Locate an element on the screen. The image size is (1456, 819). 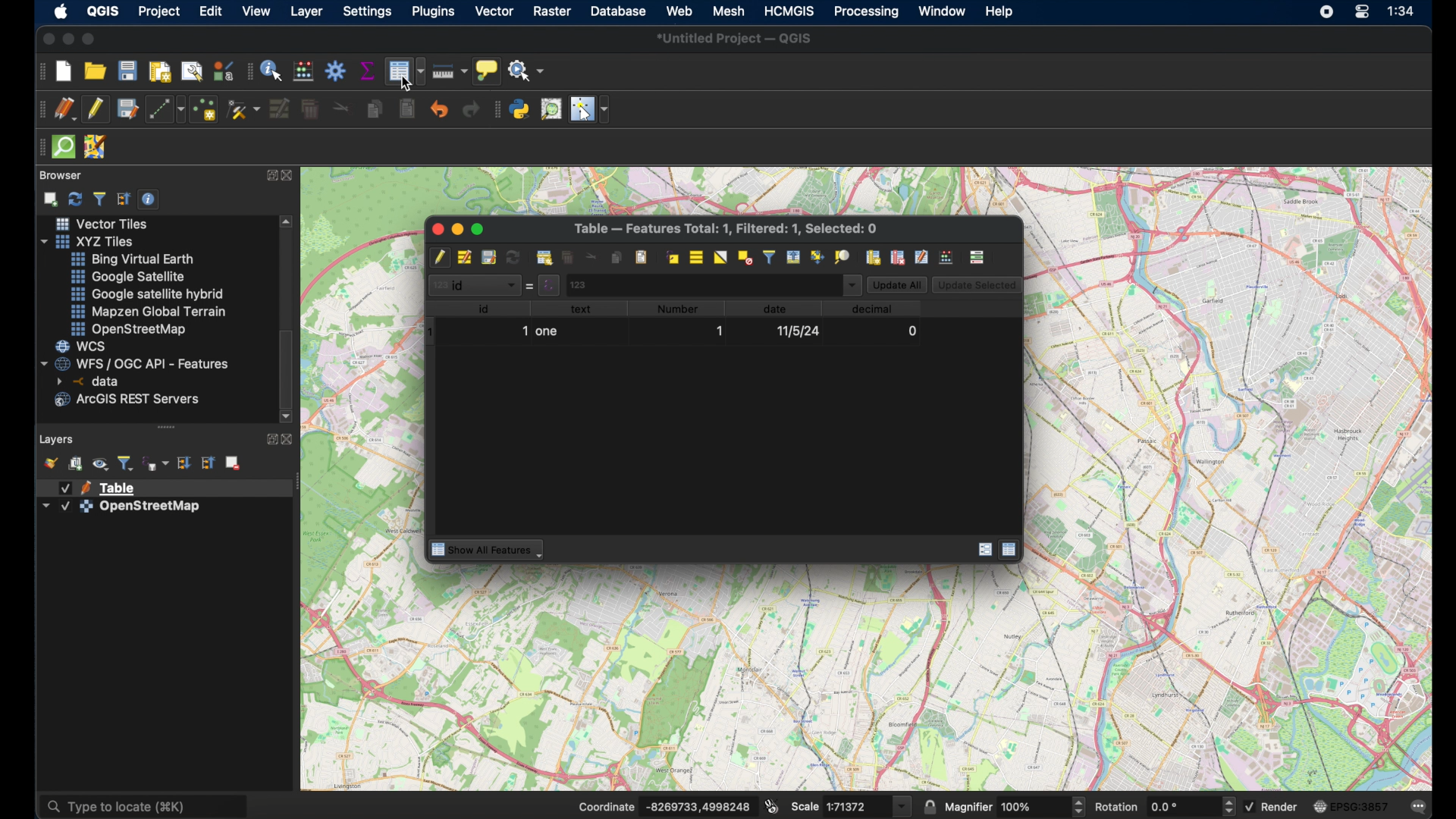
minimize is located at coordinates (457, 227).